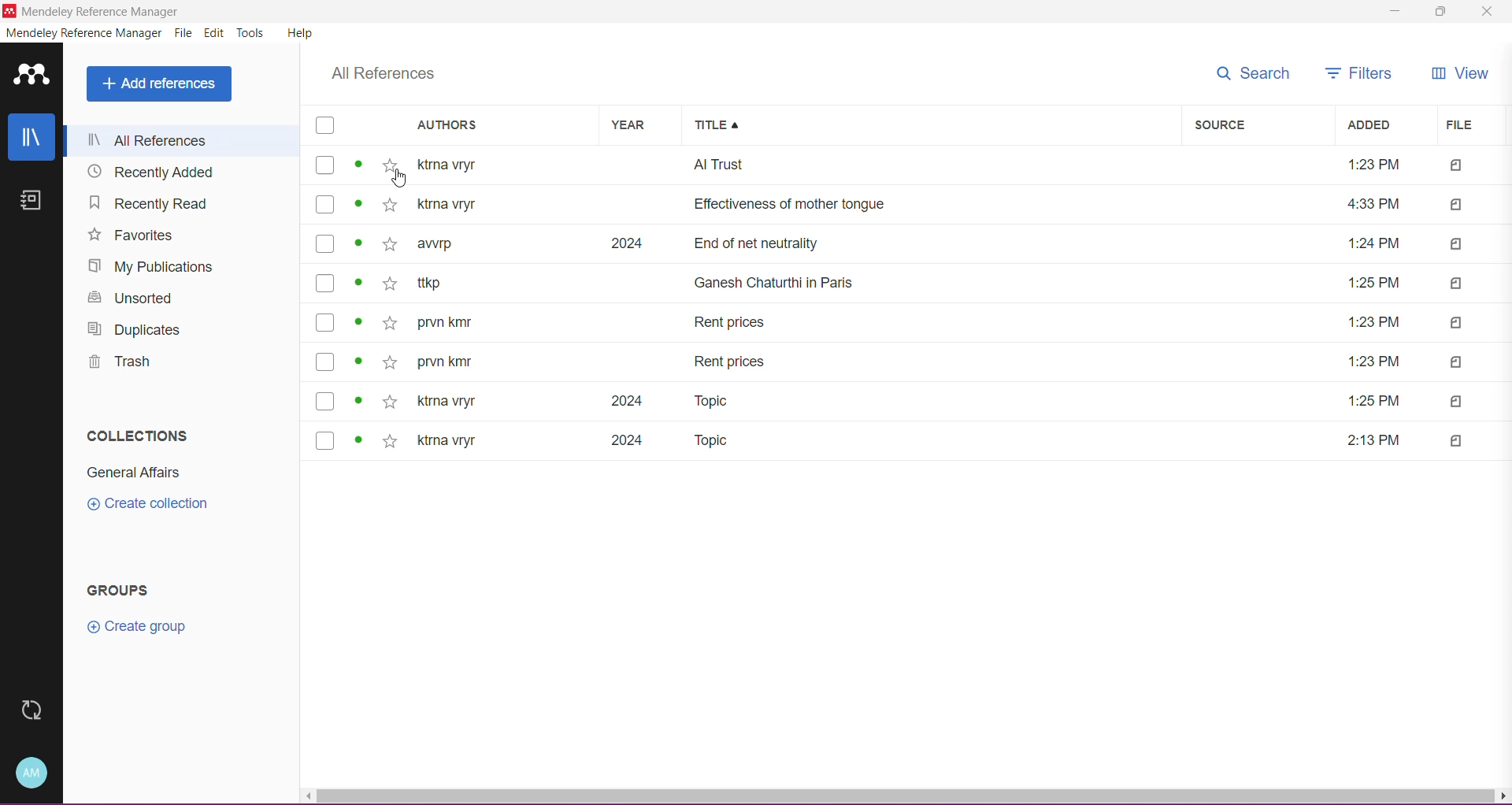 Image resolution: width=1512 pixels, height=805 pixels. I want to click on prvn kmr Rent prices 1:23 PM, so click(911, 322).